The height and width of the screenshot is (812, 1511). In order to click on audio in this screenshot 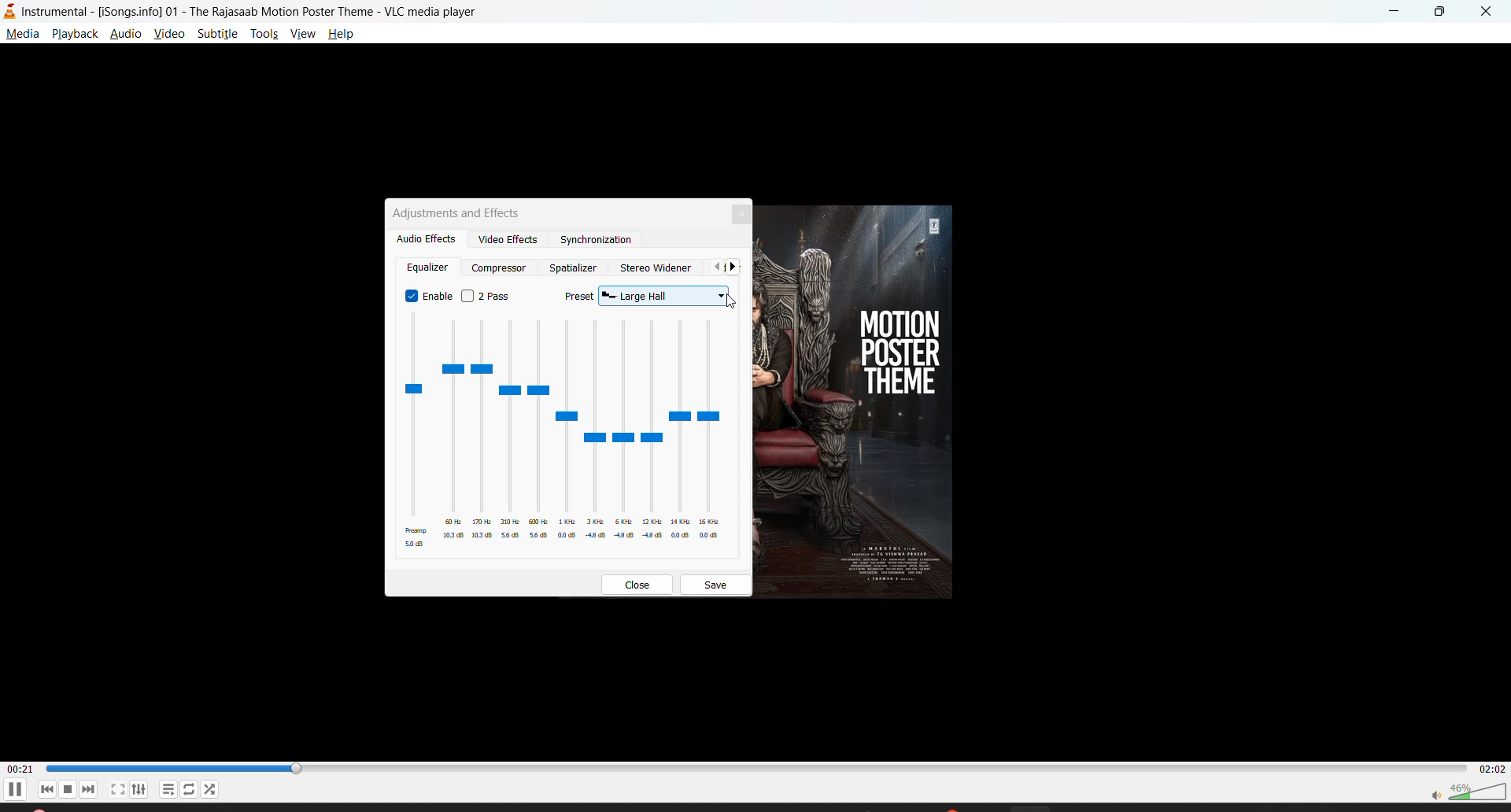, I will do `click(127, 35)`.